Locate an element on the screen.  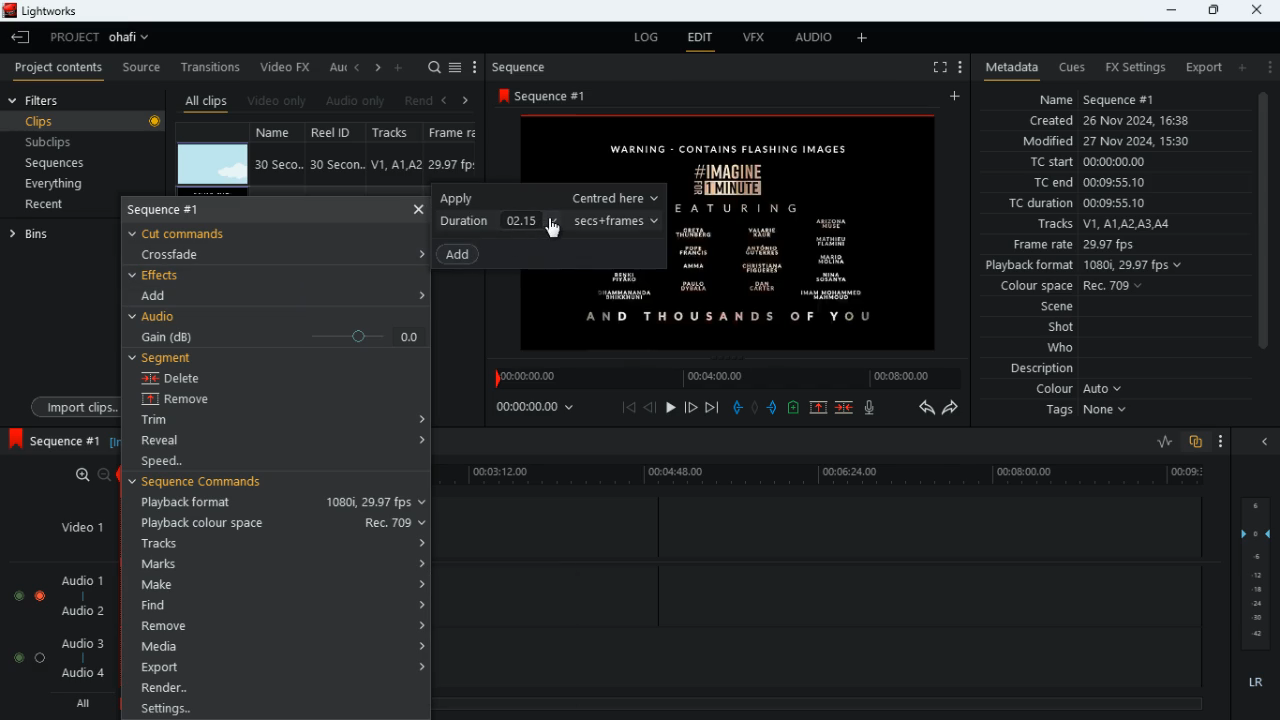
name is located at coordinates (280, 131).